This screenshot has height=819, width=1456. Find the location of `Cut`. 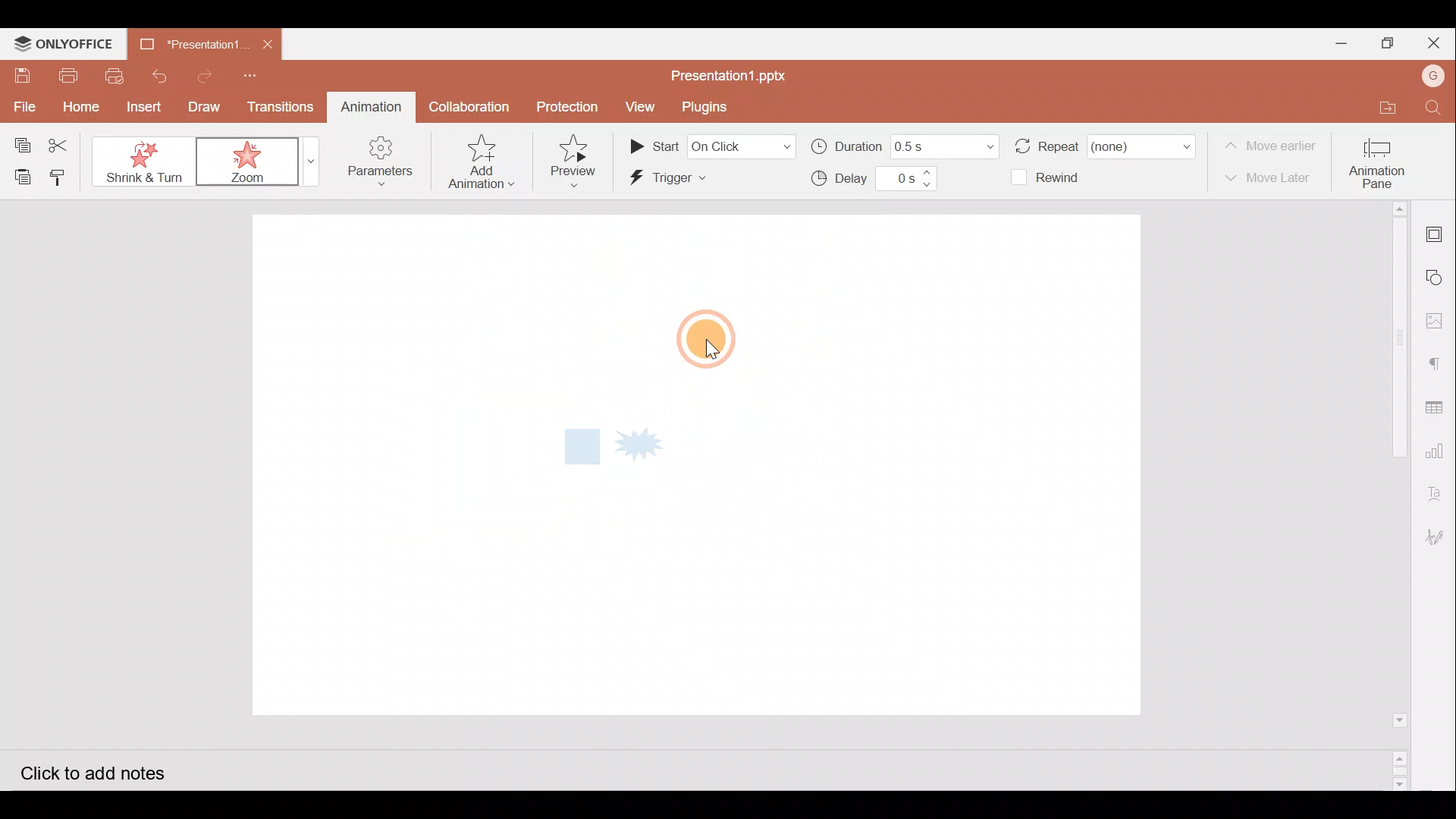

Cut is located at coordinates (64, 143).